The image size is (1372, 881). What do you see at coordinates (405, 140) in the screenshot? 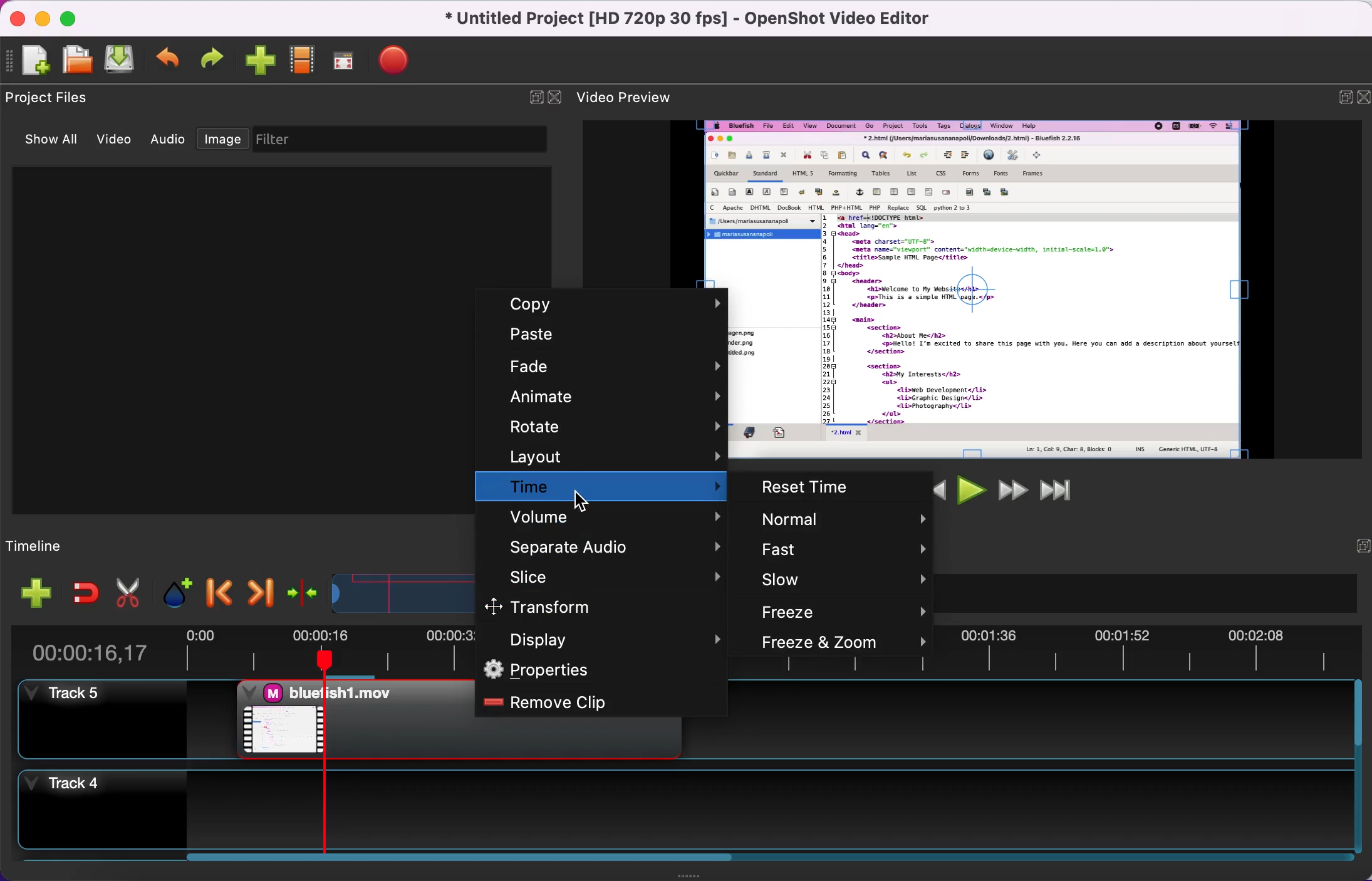
I see `filter` at bounding box center [405, 140].